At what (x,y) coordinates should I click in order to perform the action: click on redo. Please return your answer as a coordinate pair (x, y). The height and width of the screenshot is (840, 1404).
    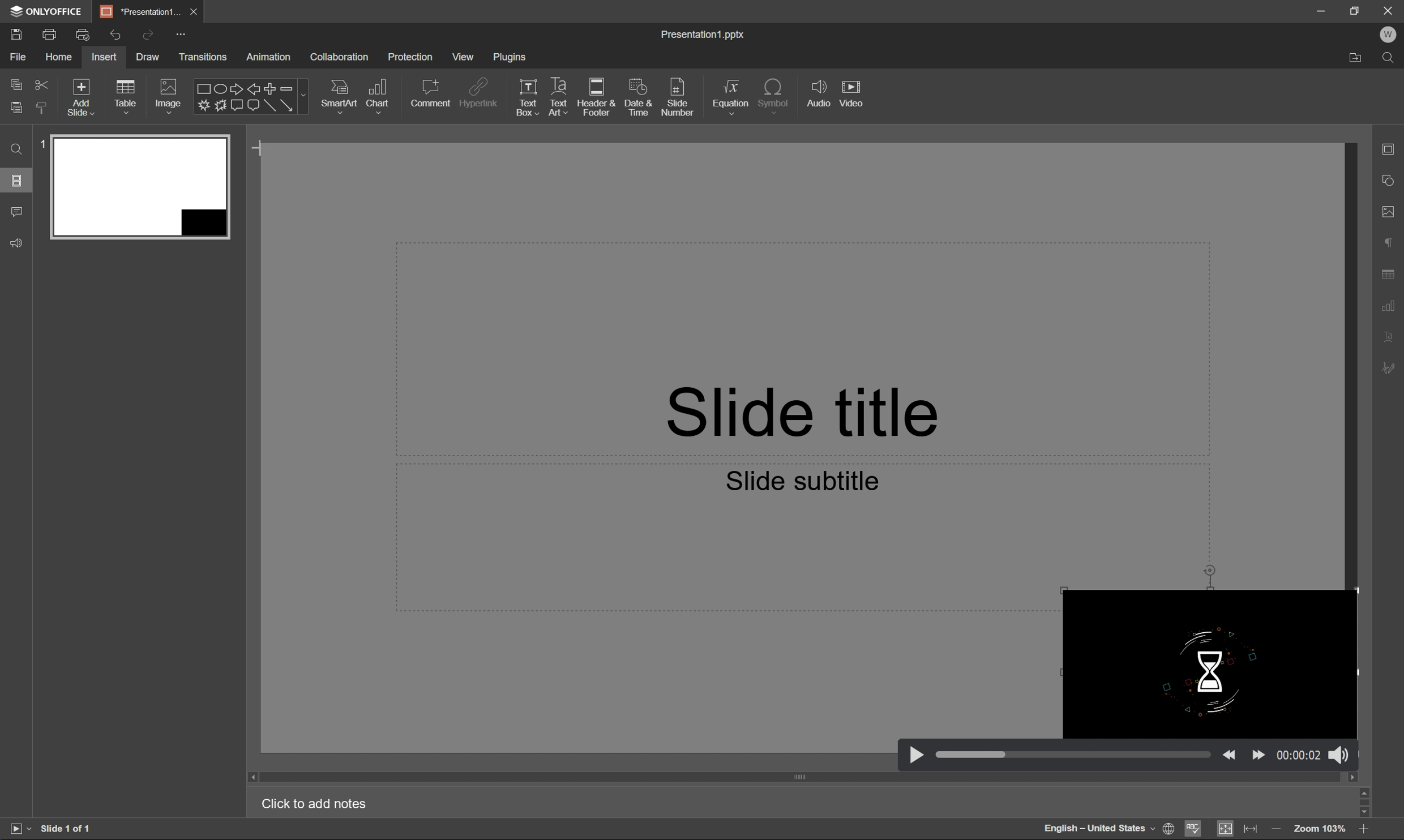
    Looking at the image, I should click on (148, 35).